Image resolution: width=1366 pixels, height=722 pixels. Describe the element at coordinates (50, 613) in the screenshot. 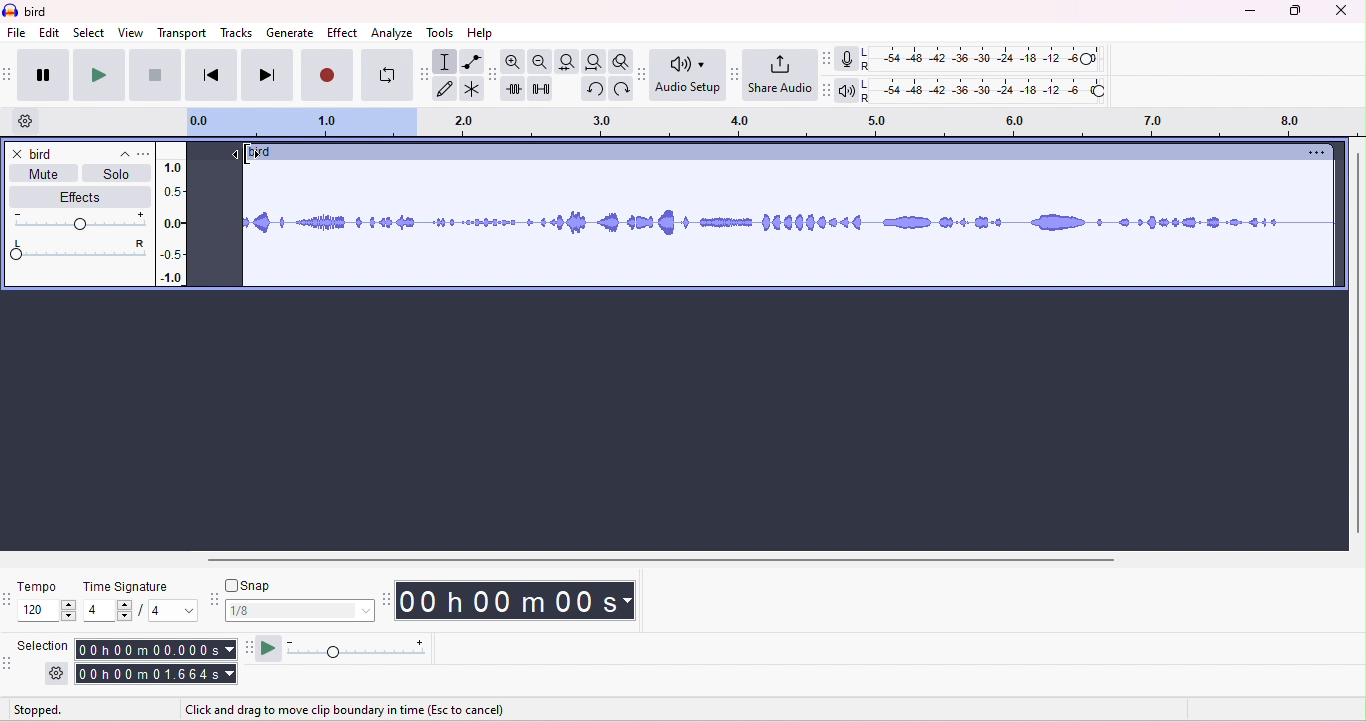

I see `select tempo` at that location.